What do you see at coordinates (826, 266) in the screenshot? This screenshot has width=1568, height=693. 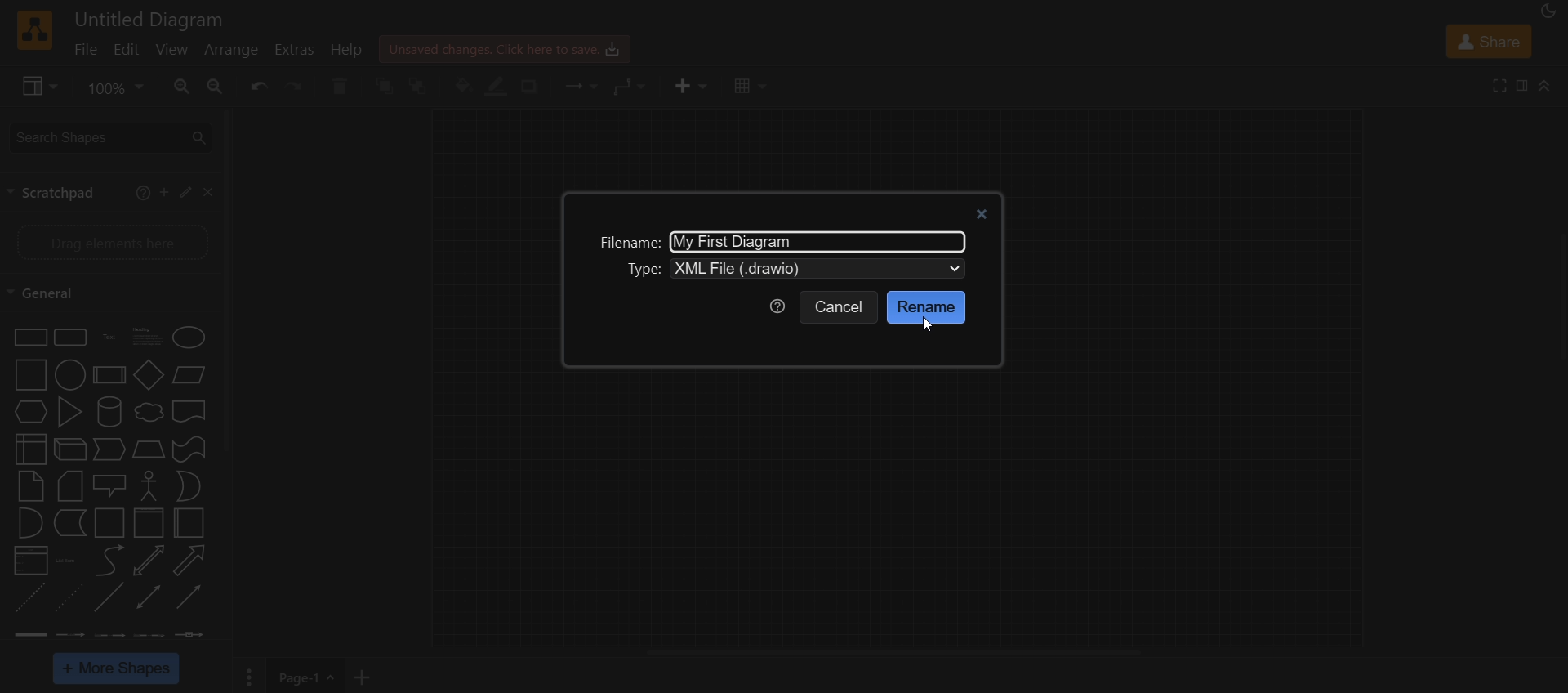 I see `xml file` at bounding box center [826, 266].